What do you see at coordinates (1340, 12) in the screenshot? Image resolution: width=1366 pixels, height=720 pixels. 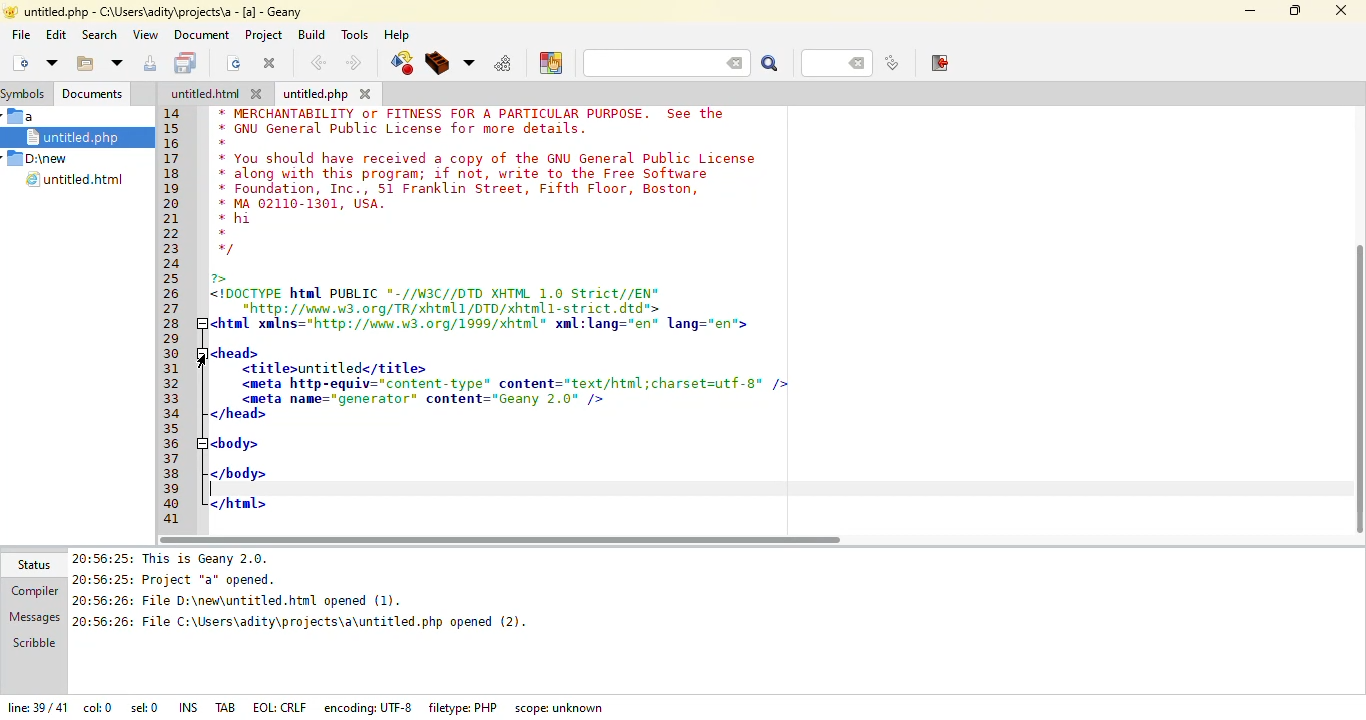 I see `close` at bounding box center [1340, 12].